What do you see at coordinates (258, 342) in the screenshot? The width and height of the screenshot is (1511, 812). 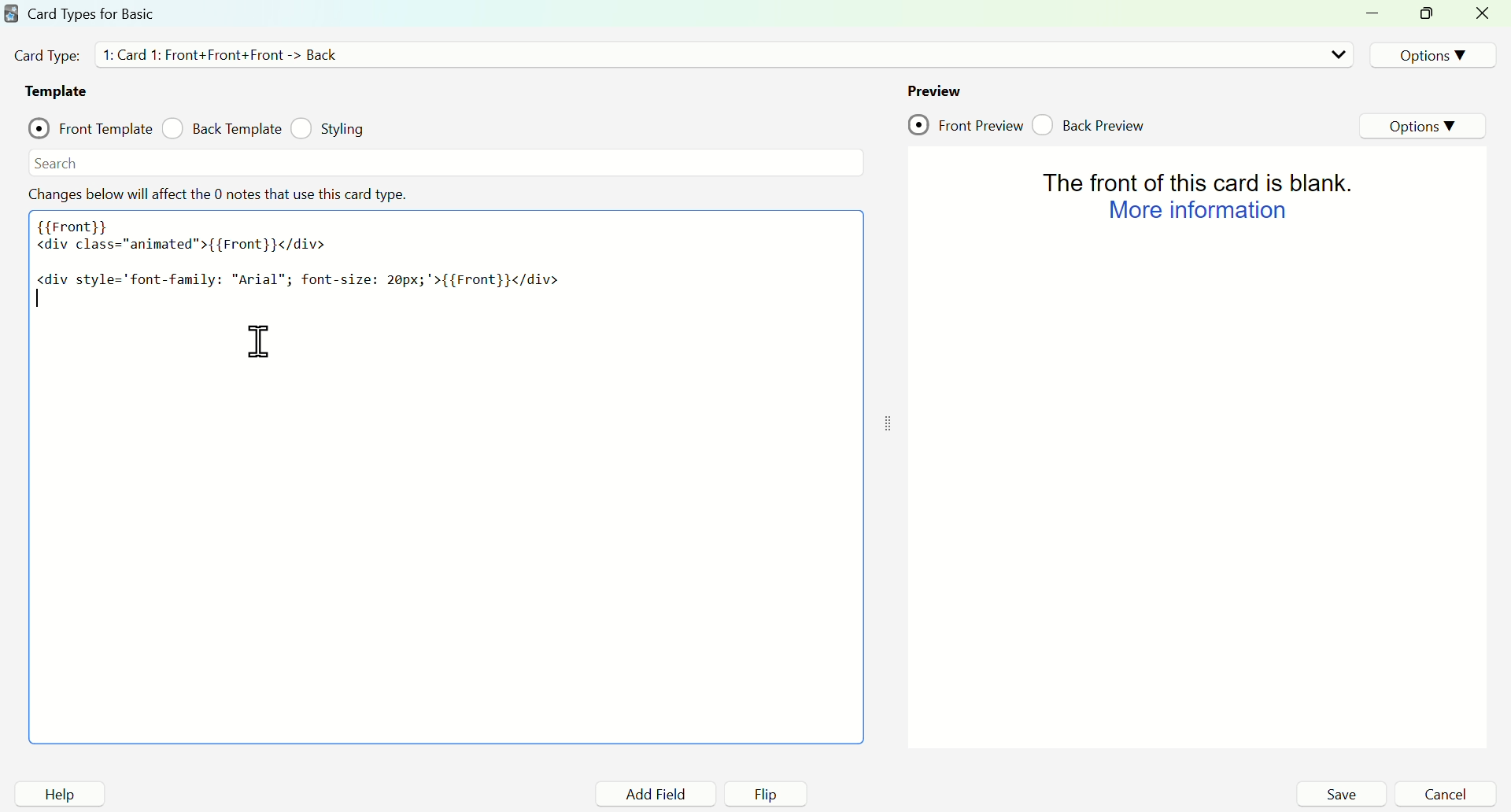 I see `cursor` at bounding box center [258, 342].